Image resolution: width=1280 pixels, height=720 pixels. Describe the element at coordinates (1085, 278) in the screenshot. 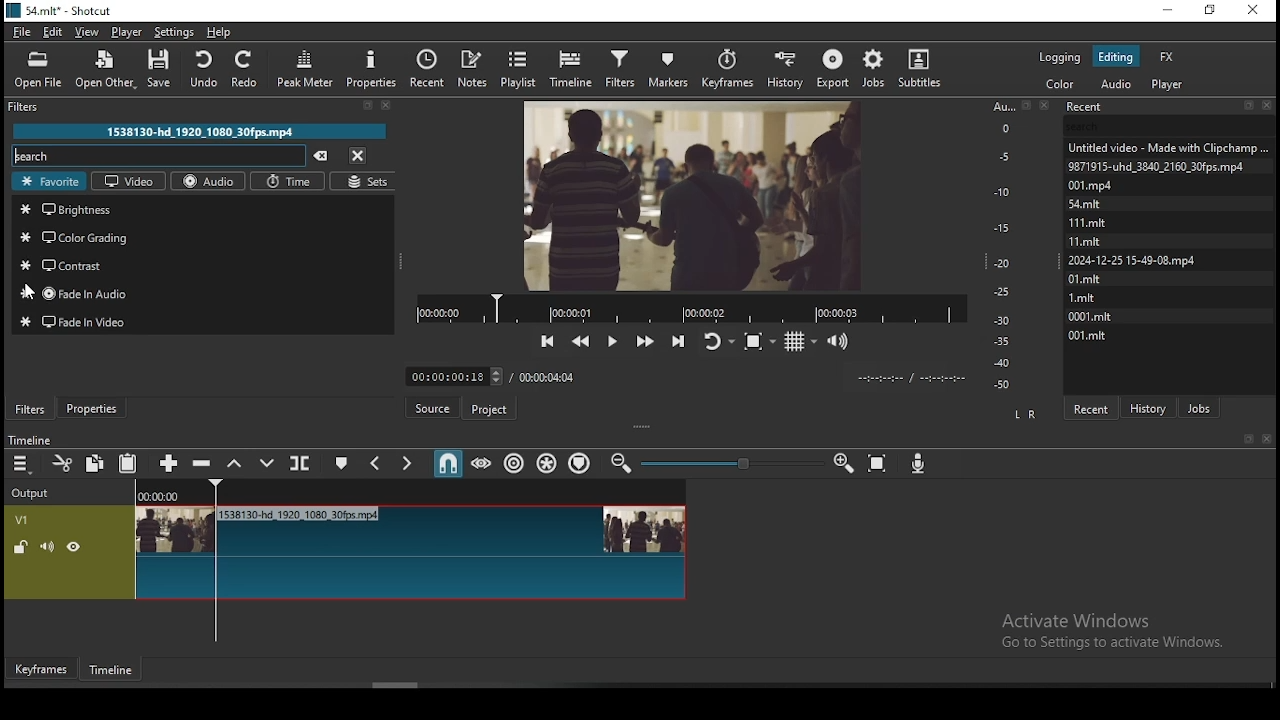

I see `0l.mit` at that location.